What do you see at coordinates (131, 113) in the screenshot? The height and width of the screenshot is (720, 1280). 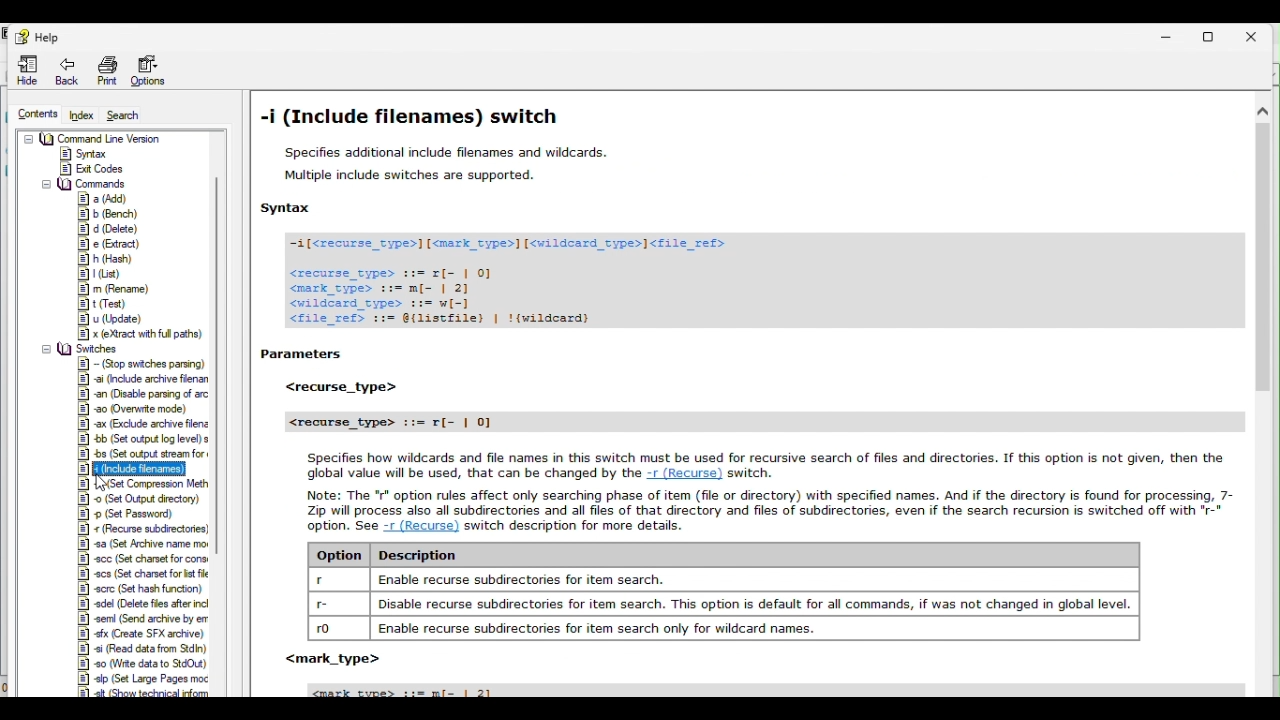 I see `Search` at bounding box center [131, 113].